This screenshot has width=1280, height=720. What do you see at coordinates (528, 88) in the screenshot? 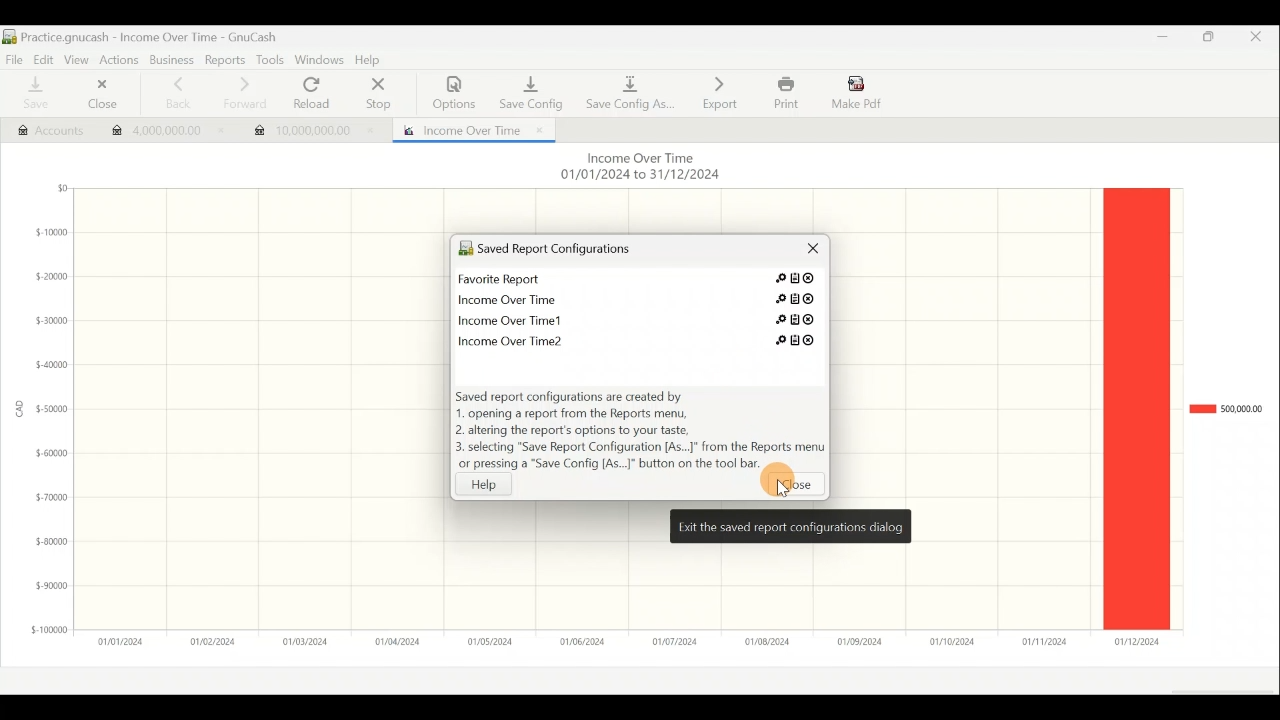
I see `Save config` at bounding box center [528, 88].